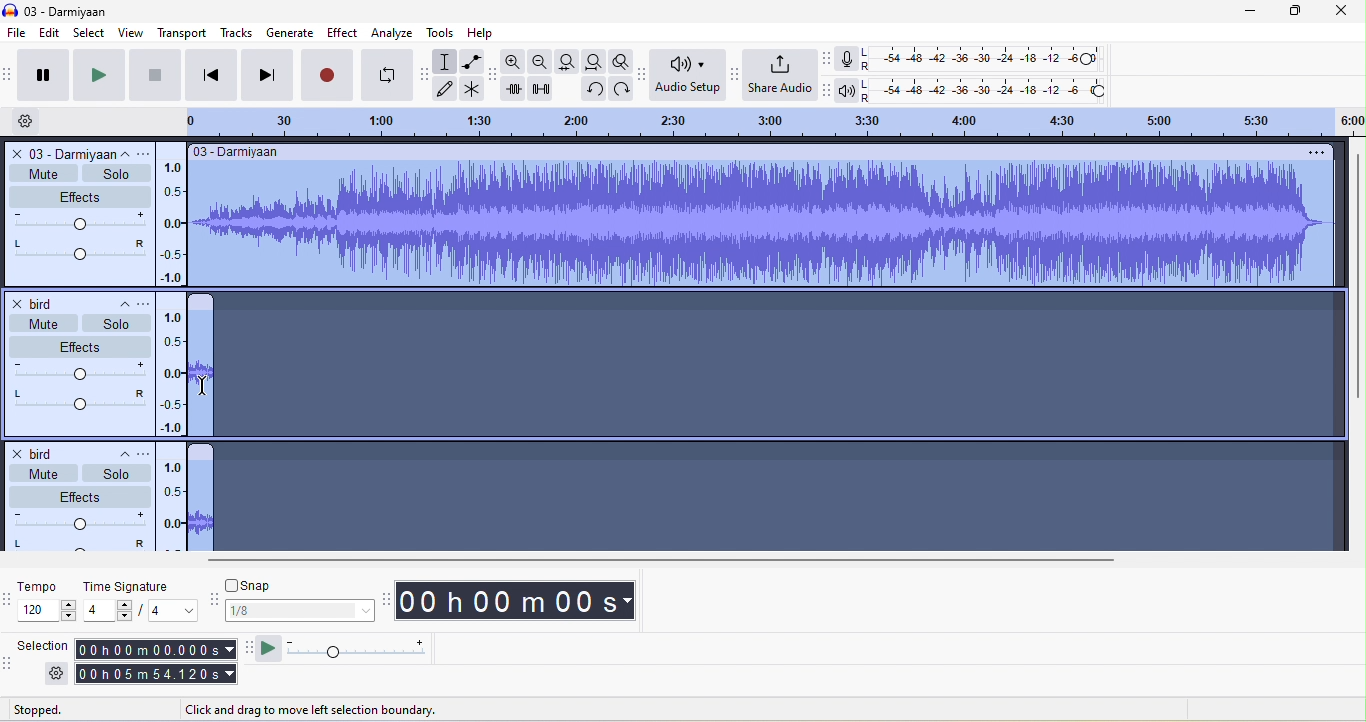 The image size is (1366, 722). What do you see at coordinates (46, 588) in the screenshot?
I see `tempo` at bounding box center [46, 588].